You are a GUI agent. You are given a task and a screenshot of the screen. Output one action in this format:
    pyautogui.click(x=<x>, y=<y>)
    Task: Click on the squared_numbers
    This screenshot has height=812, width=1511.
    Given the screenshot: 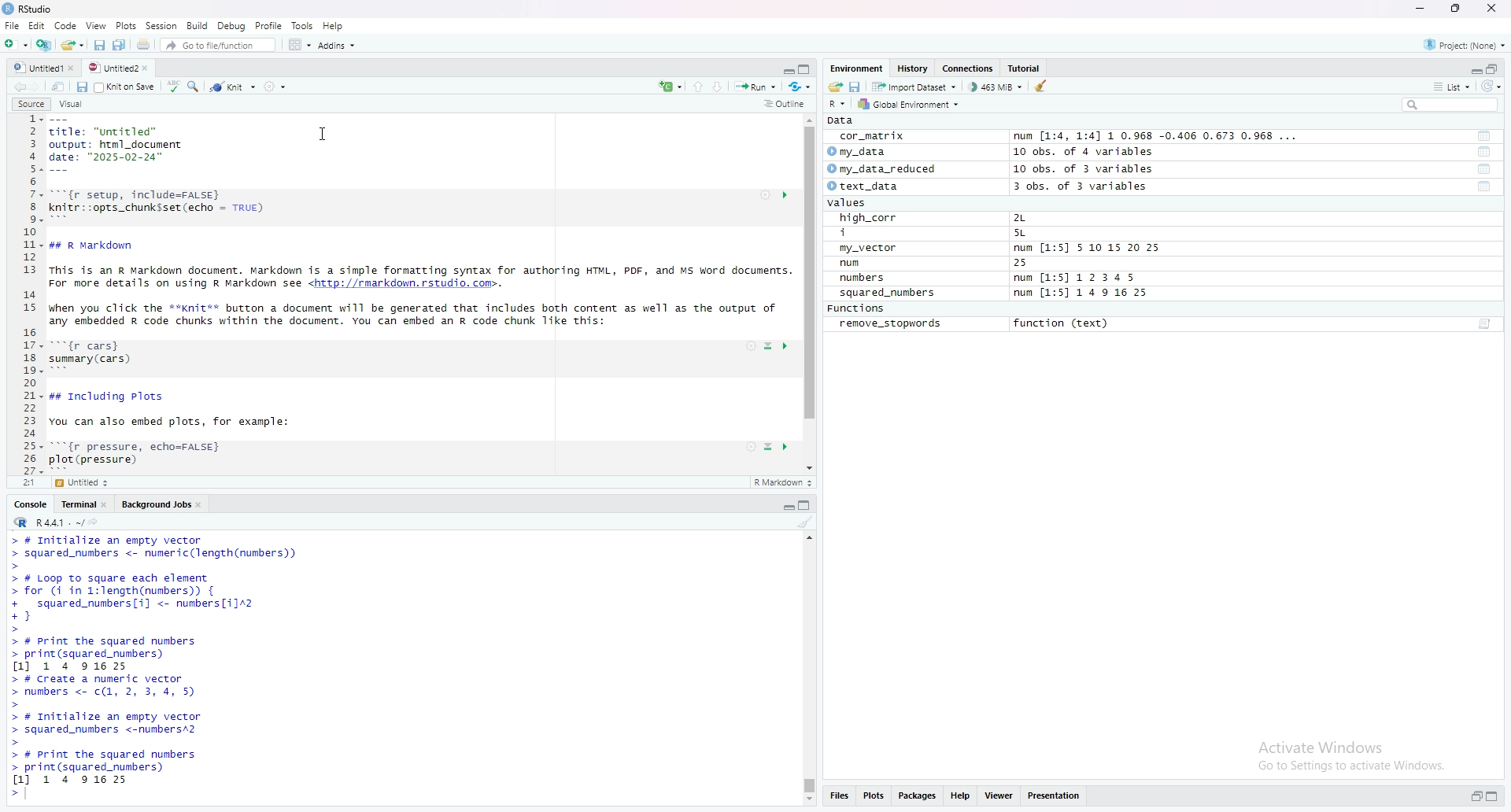 What is the action you would take?
    pyautogui.click(x=888, y=292)
    